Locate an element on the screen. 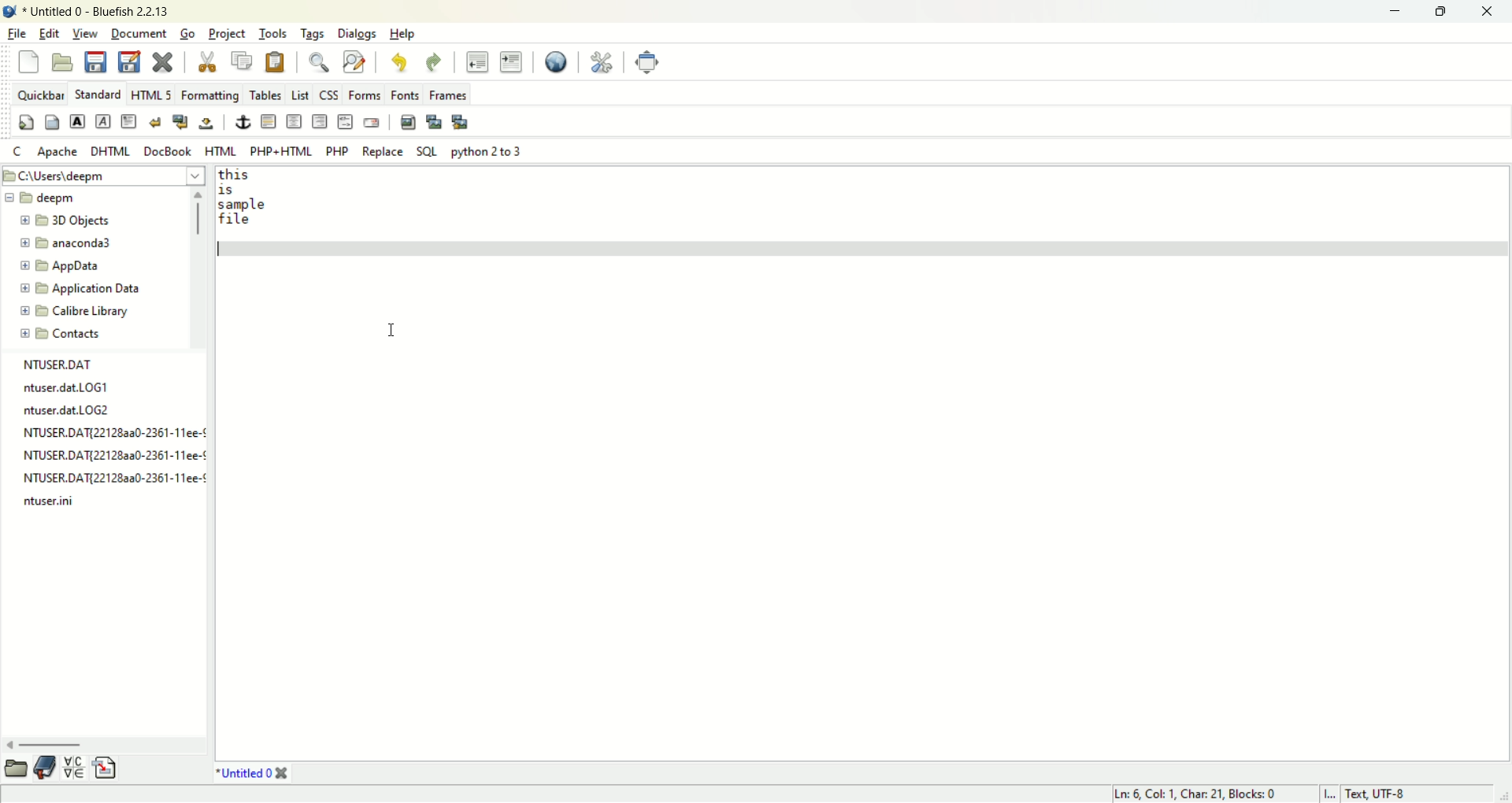 The width and height of the screenshot is (1512, 803). DHTML is located at coordinates (109, 150).